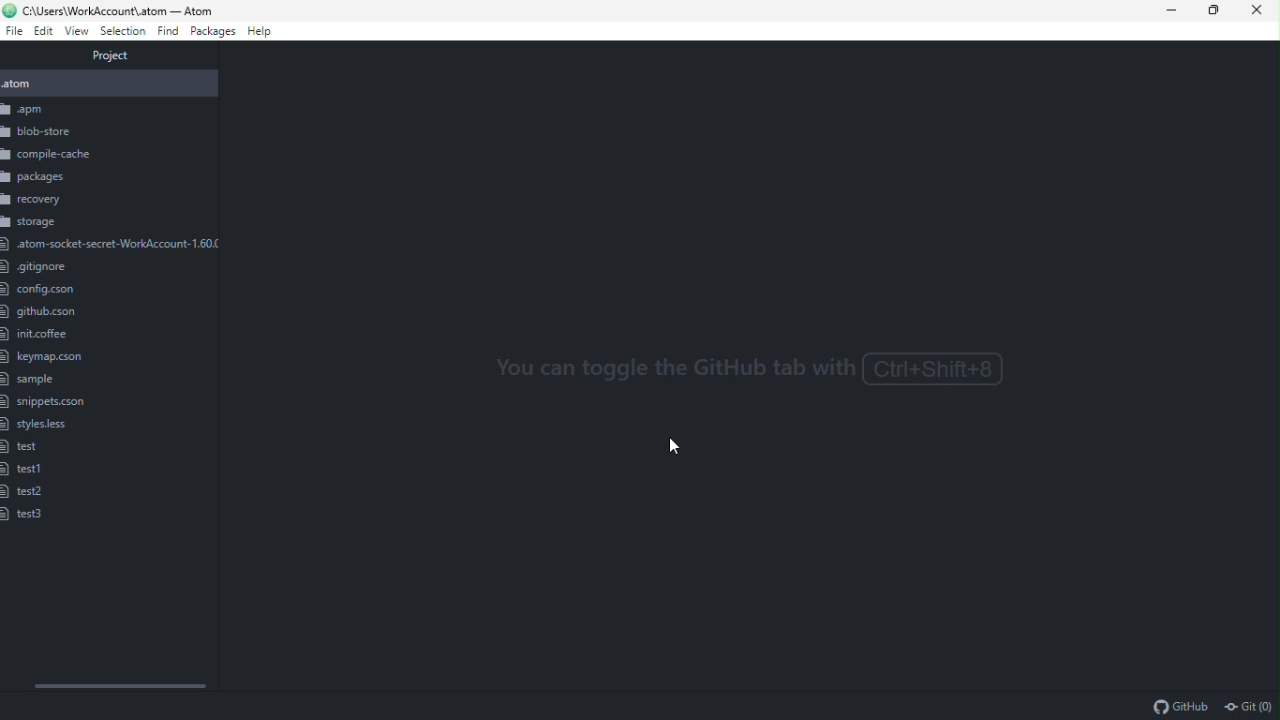  Describe the element at coordinates (120, 684) in the screenshot. I see `Horizontal scroll bar` at that location.